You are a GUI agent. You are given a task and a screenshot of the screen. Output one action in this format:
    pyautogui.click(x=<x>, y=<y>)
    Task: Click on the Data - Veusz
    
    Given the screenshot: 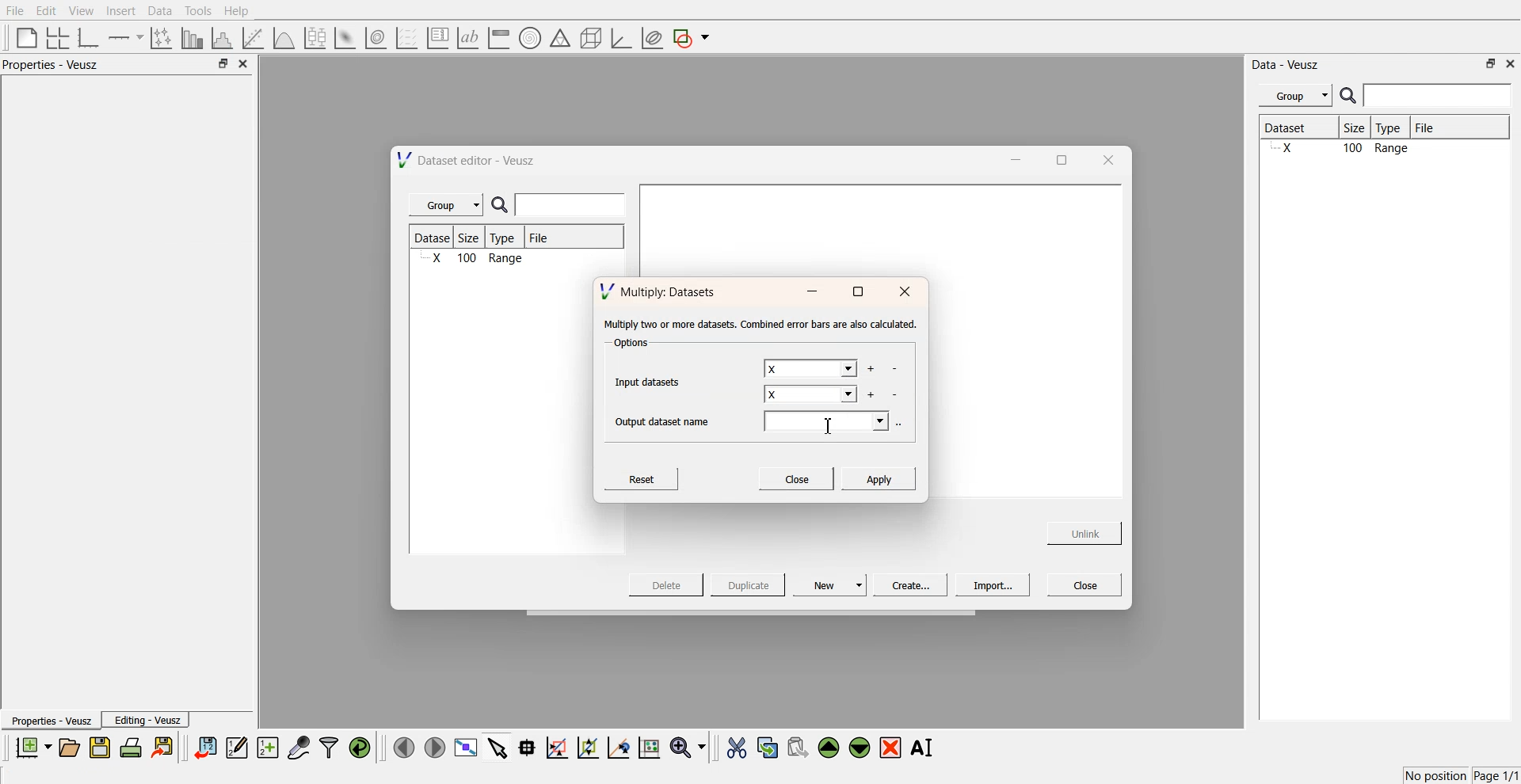 What is the action you would take?
    pyautogui.click(x=1287, y=65)
    